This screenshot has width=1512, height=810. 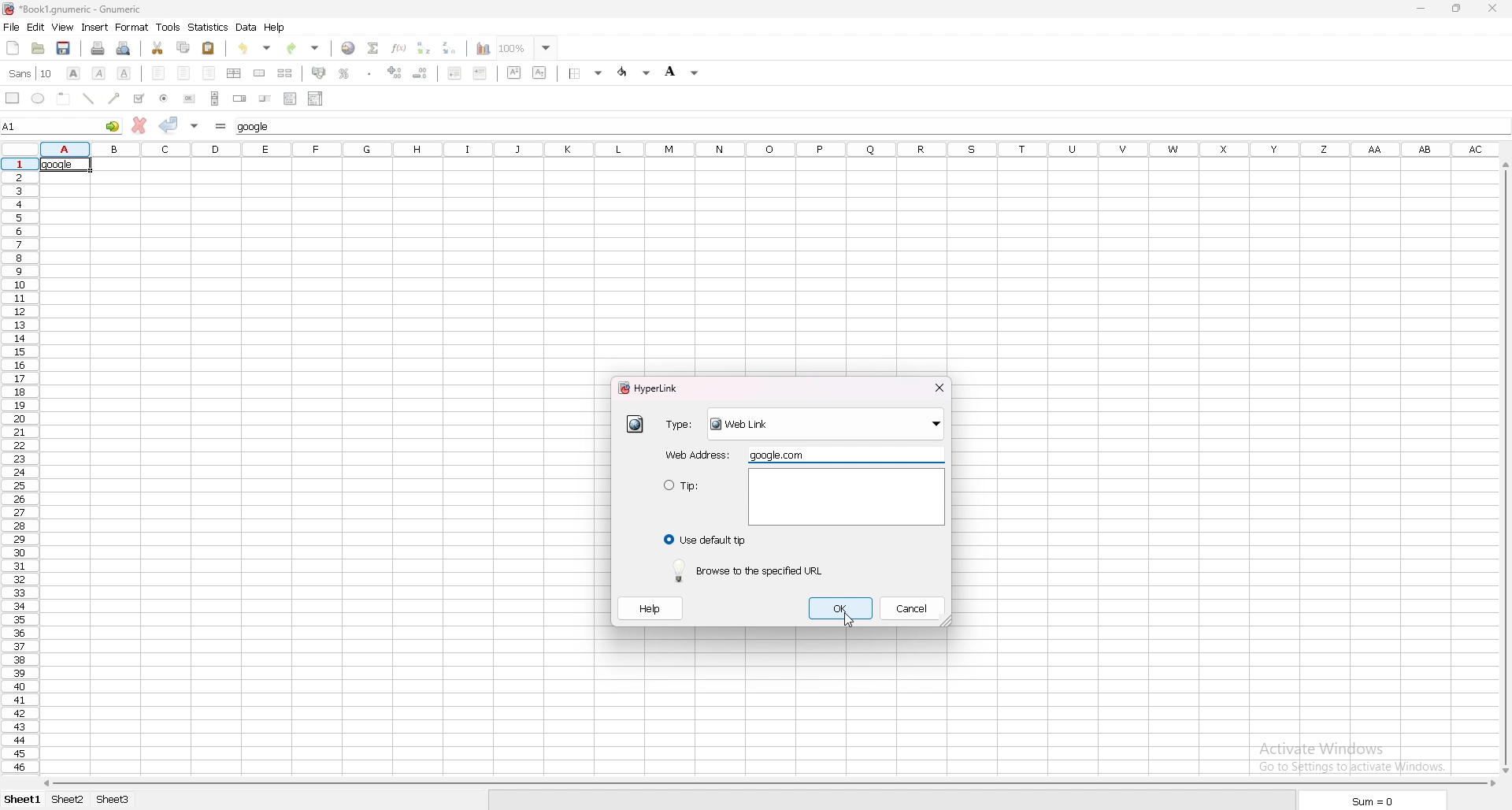 What do you see at coordinates (528, 47) in the screenshot?
I see `zoom` at bounding box center [528, 47].